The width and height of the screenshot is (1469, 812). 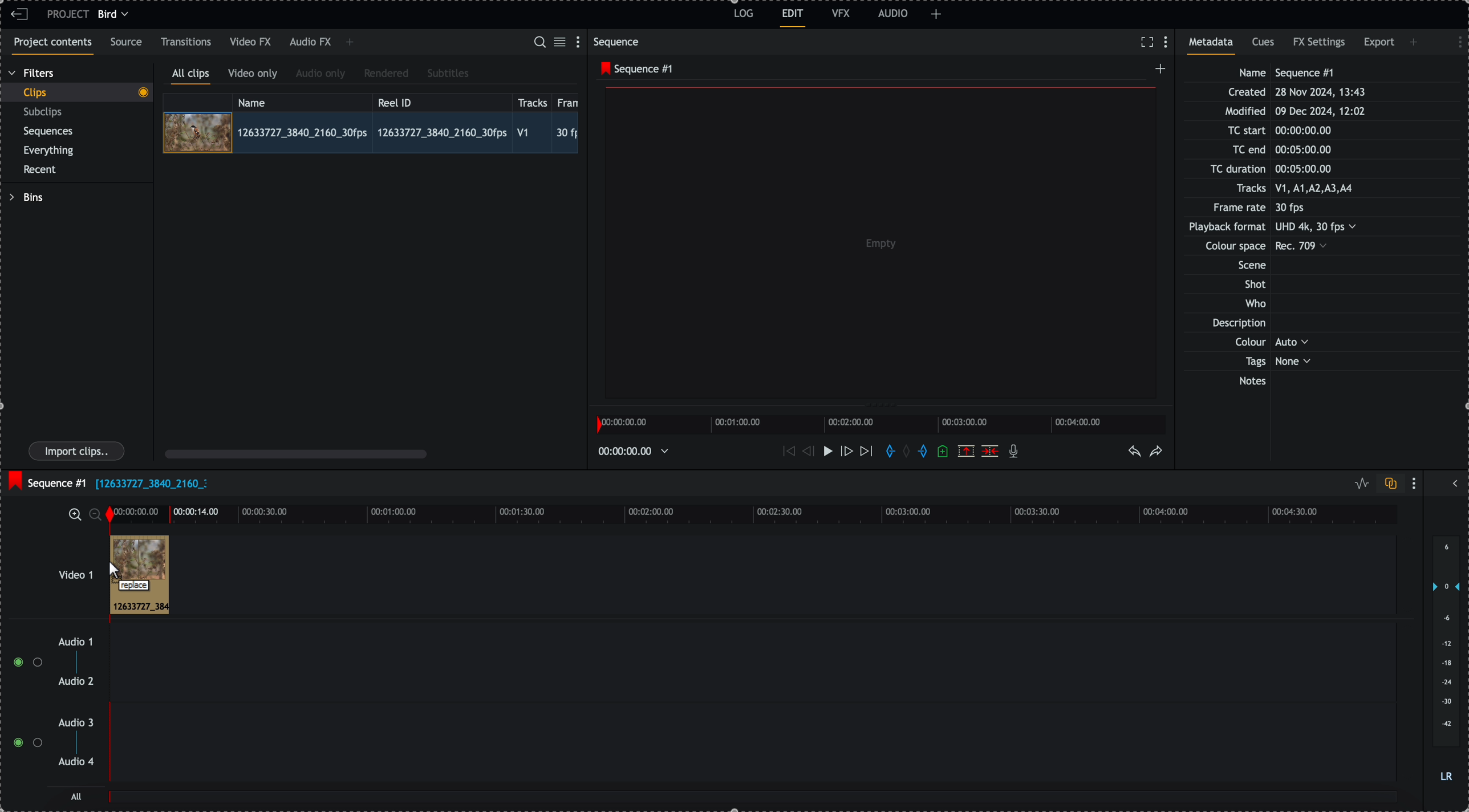 What do you see at coordinates (26, 197) in the screenshot?
I see `bins` at bounding box center [26, 197].